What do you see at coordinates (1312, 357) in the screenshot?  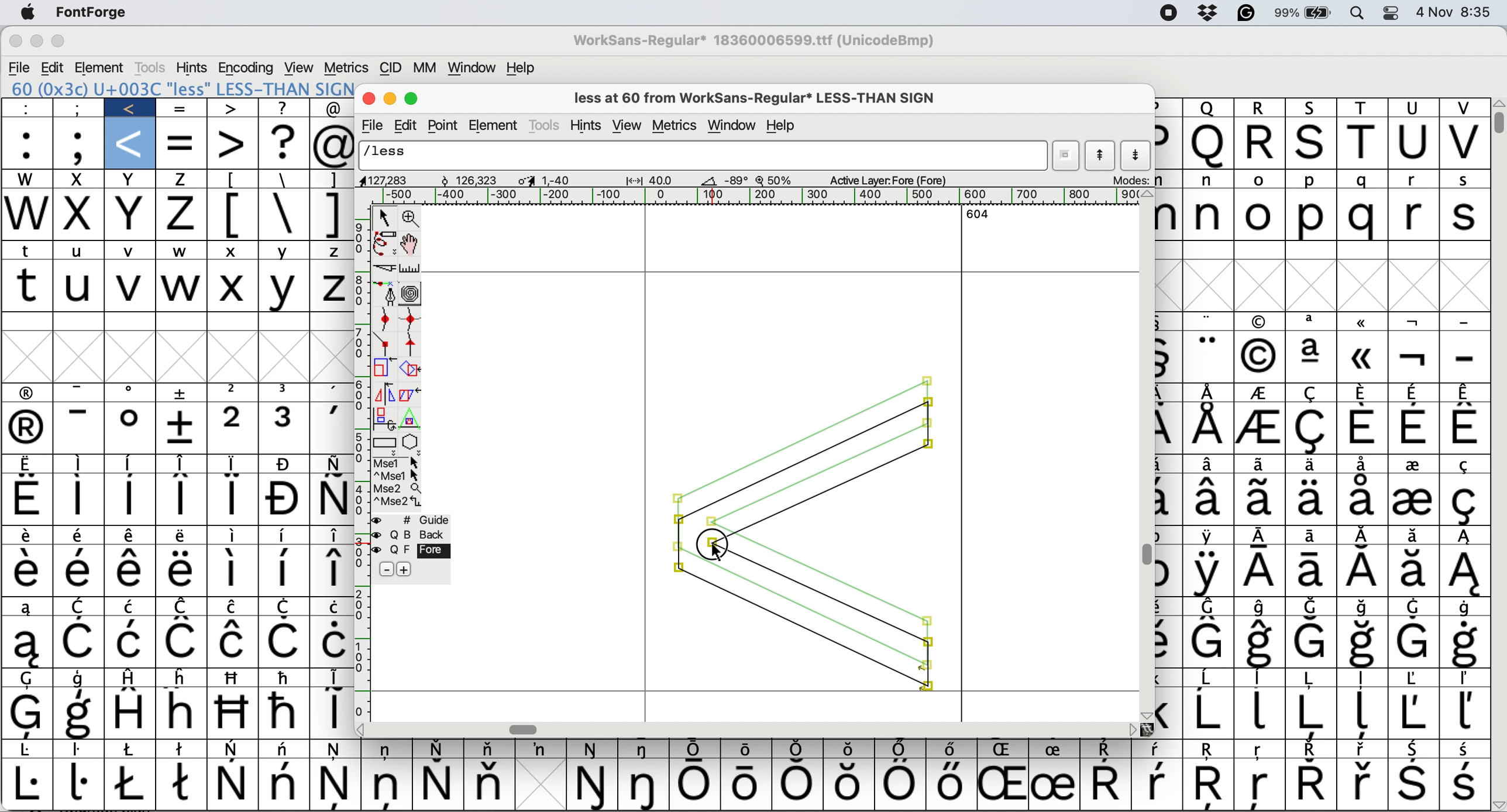 I see `Symbol` at bounding box center [1312, 357].